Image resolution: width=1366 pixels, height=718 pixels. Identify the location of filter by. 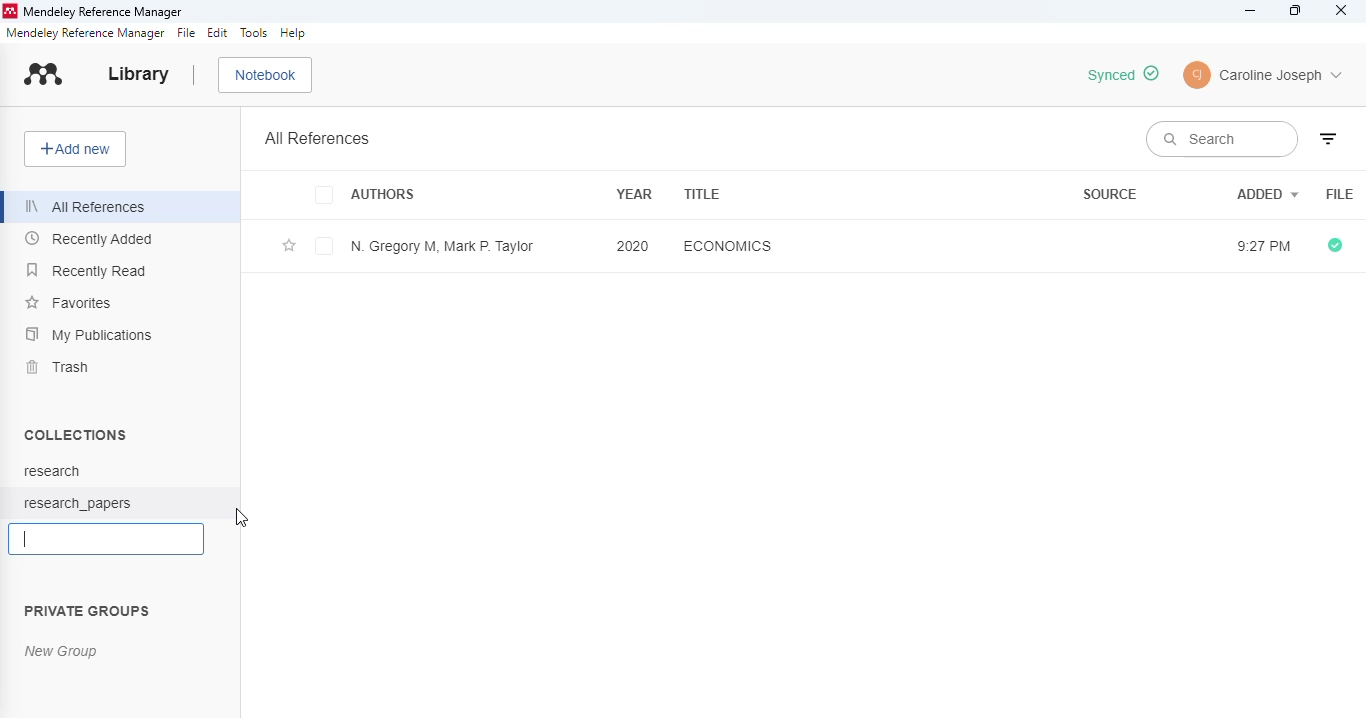
(1328, 139).